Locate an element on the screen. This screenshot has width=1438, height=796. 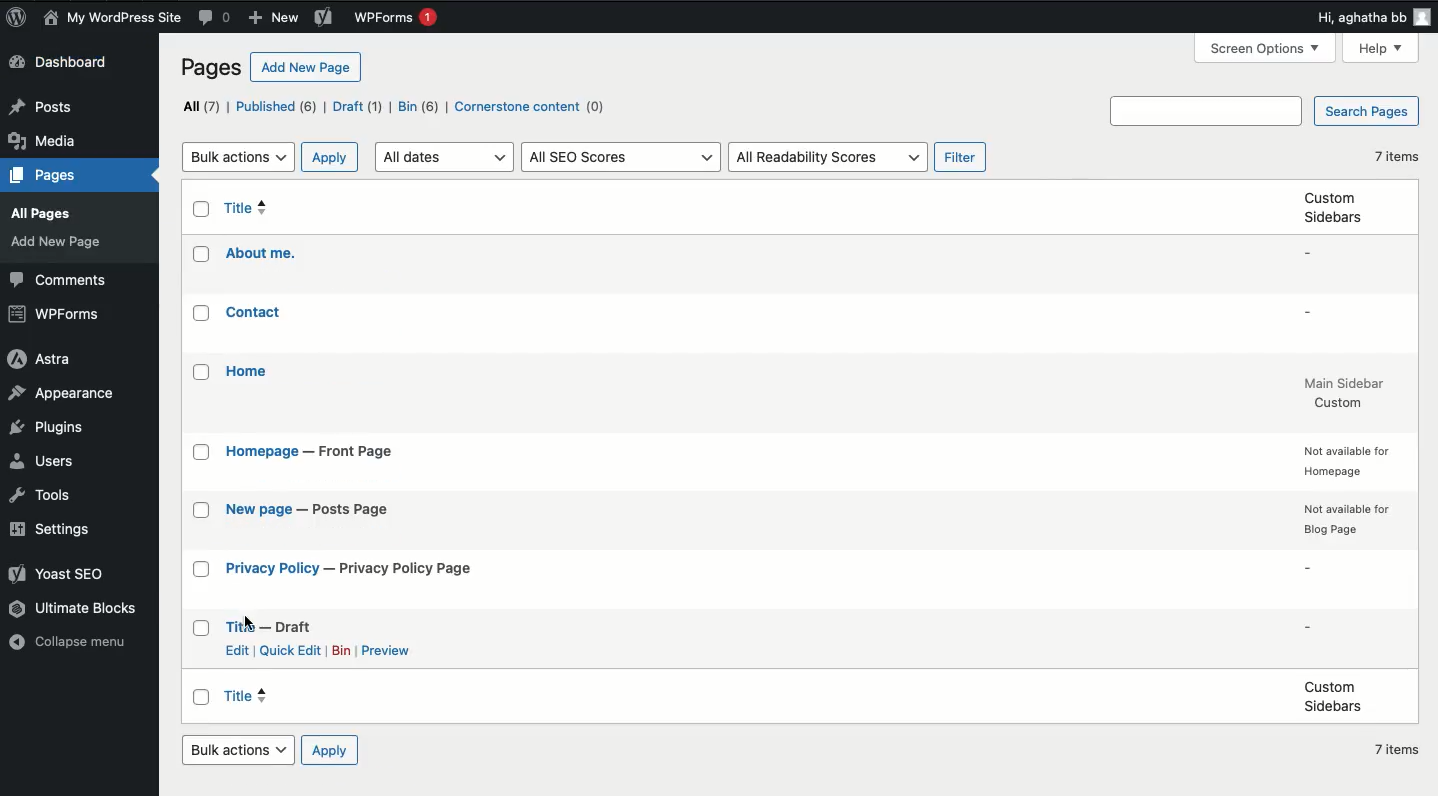
main slider is located at coordinates (1345, 393).